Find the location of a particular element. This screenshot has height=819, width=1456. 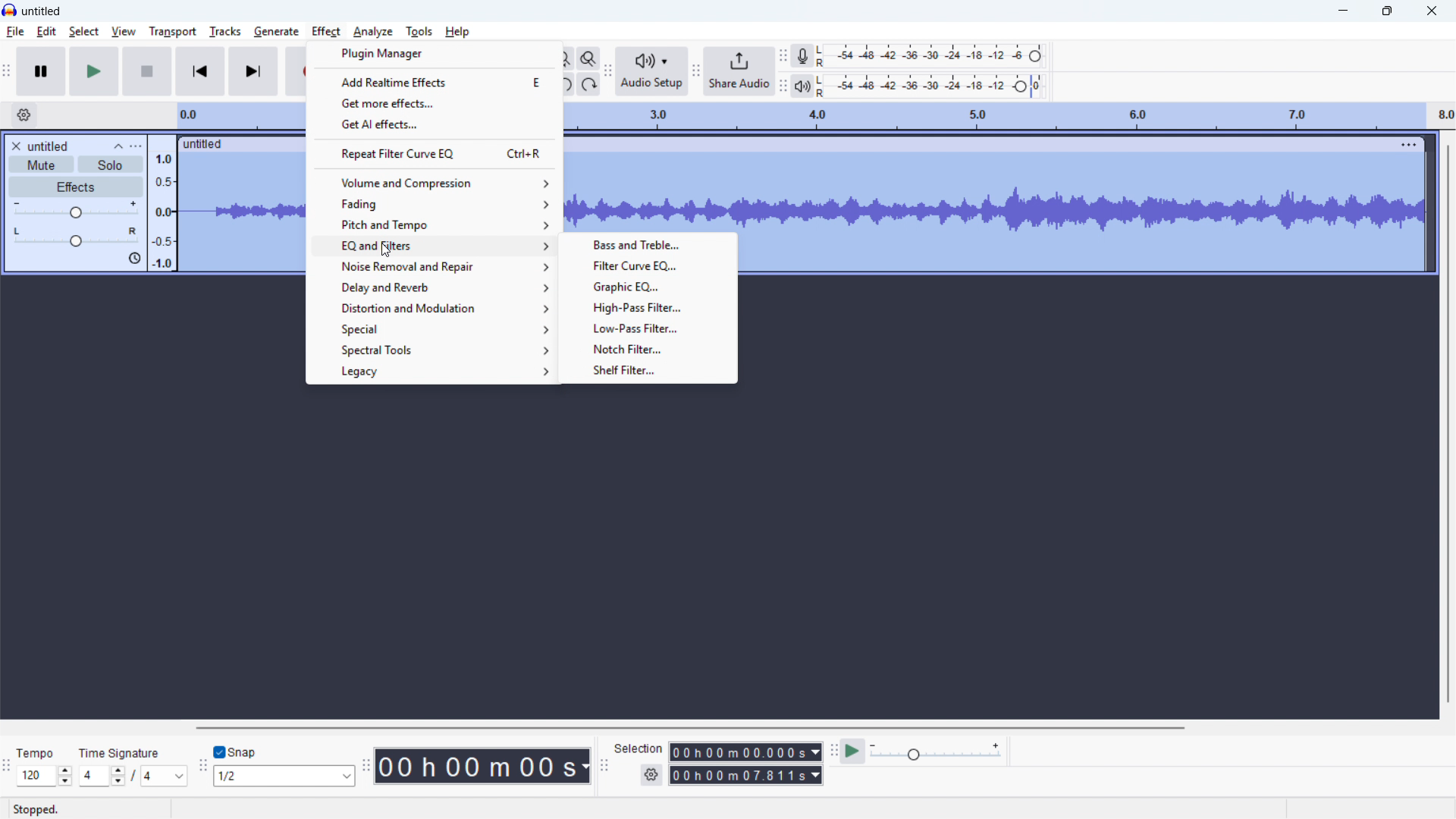

legacy is located at coordinates (431, 372).